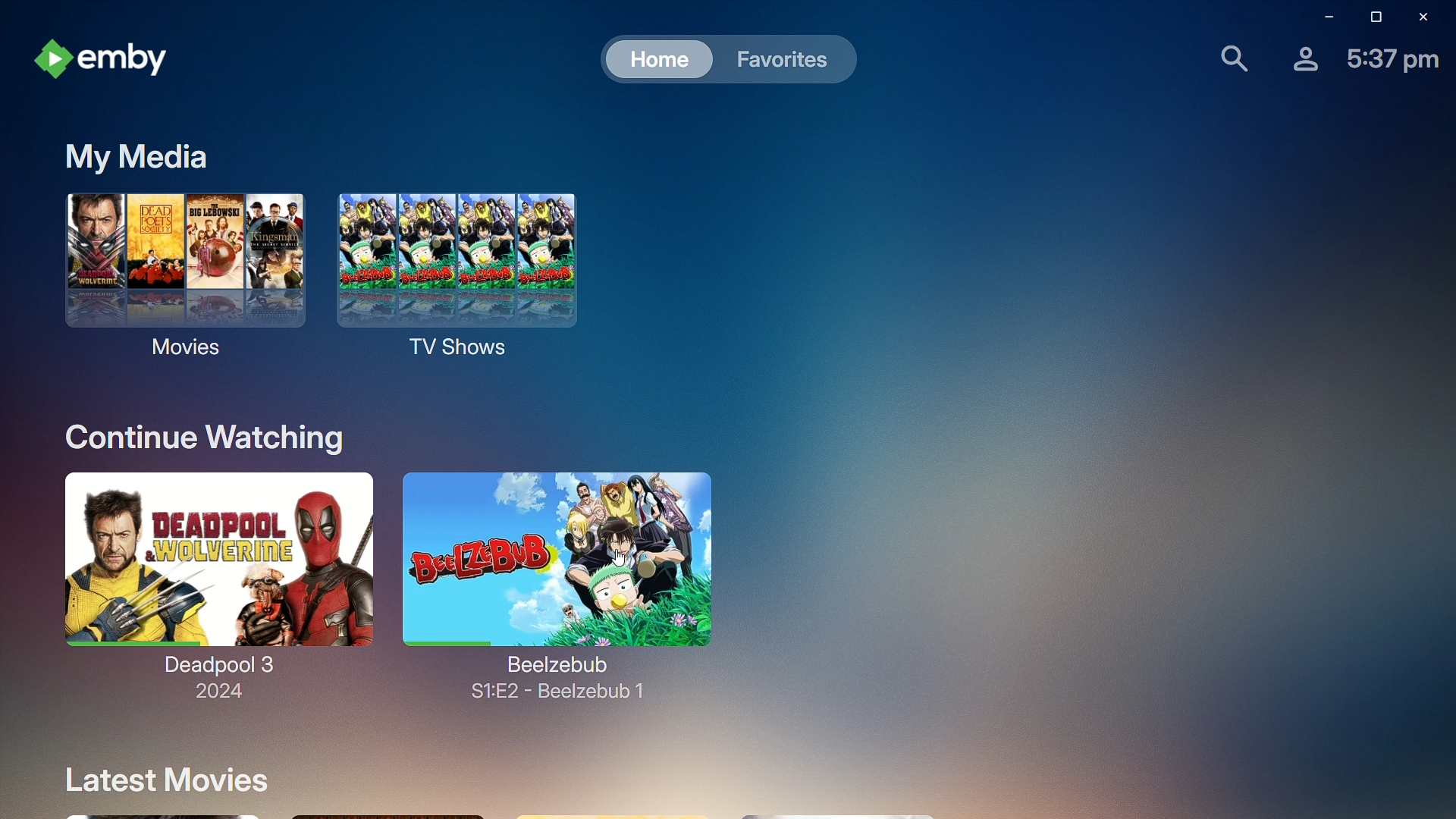  Describe the element at coordinates (219, 694) in the screenshot. I see `2024` at that location.